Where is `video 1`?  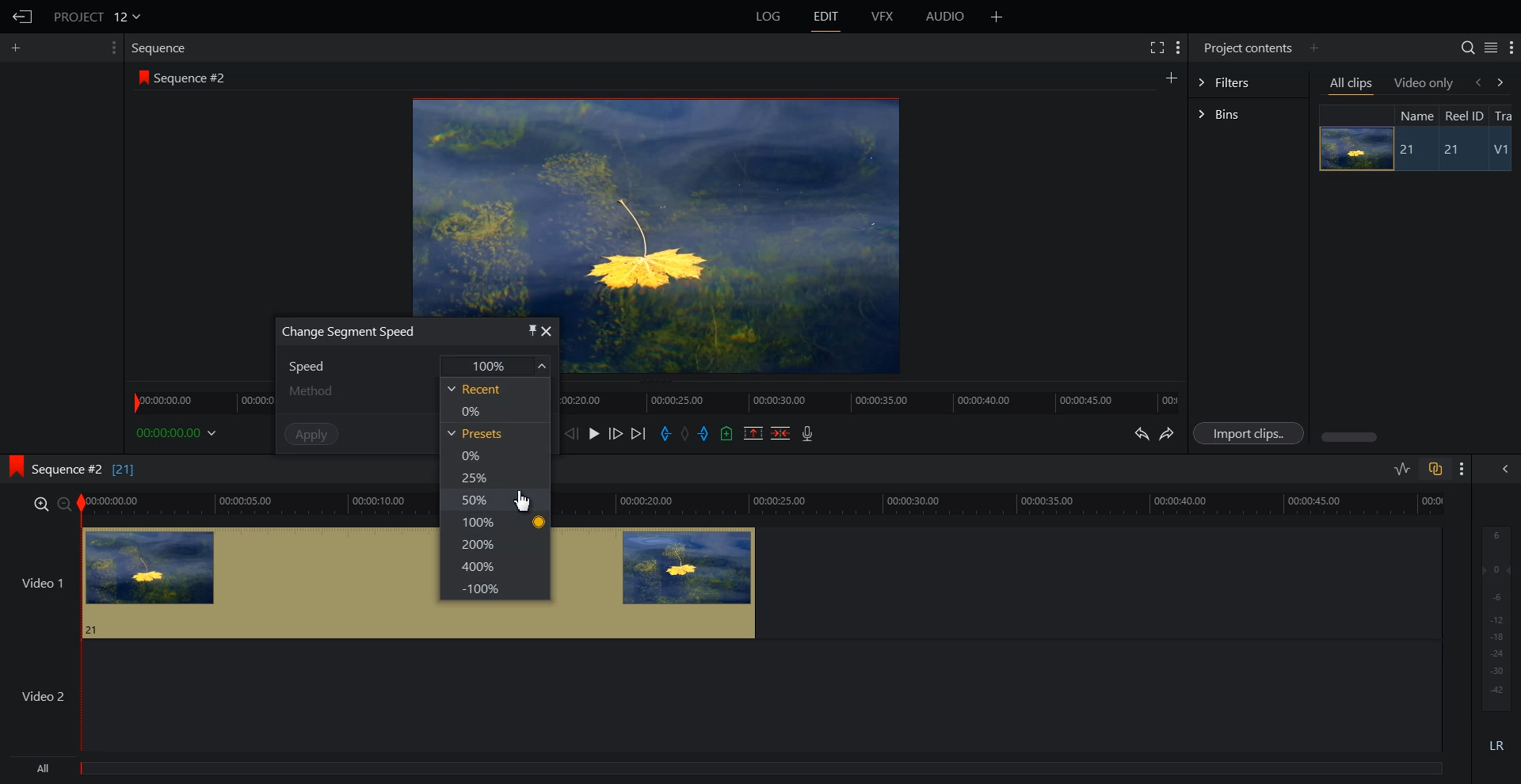 video 1 is located at coordinates (676, 584).